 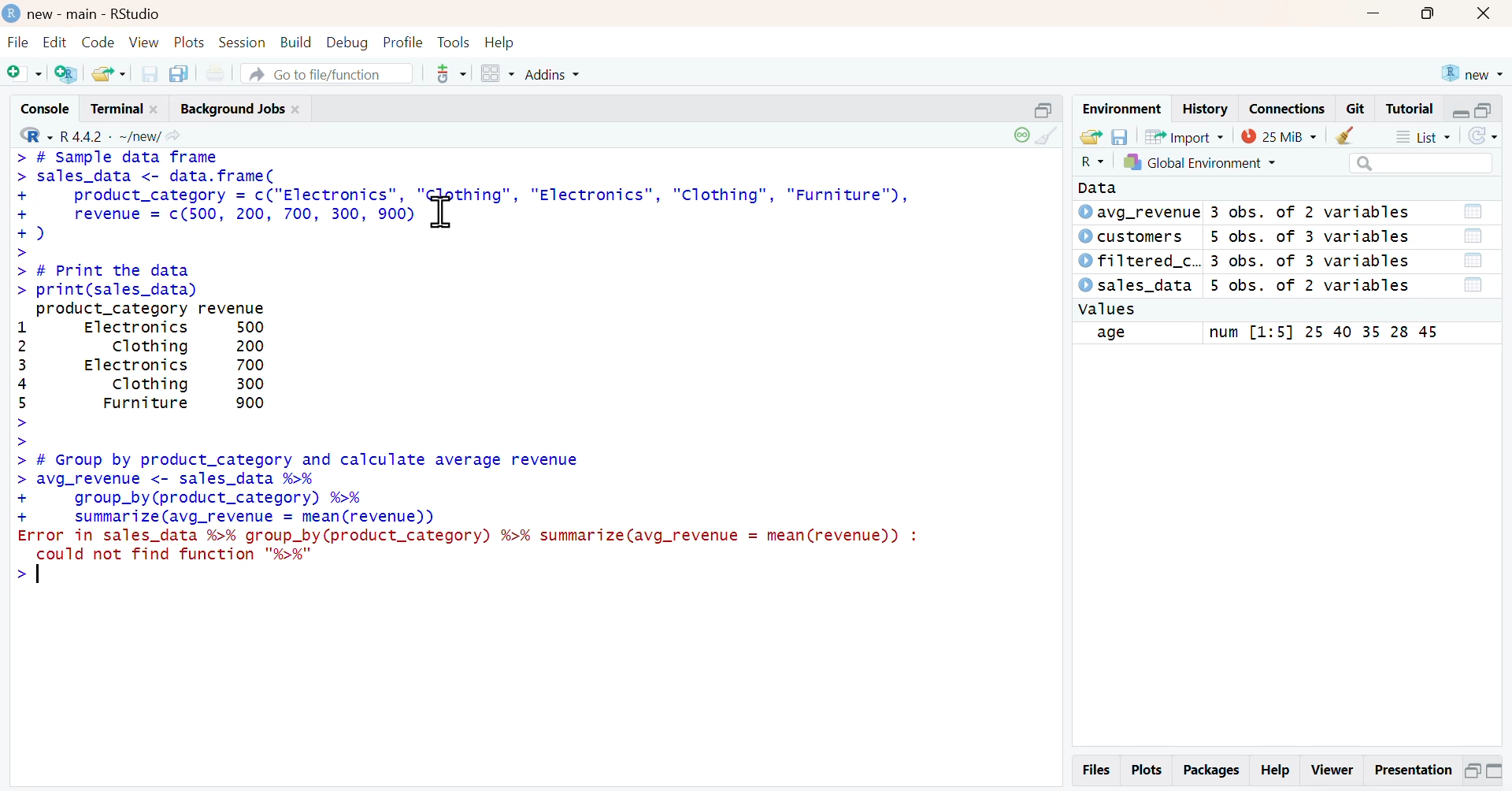 What do you see at coordinates (33, 136) in the screenshot?
I see `Select language - R Language` at bounding box center [33, 136].